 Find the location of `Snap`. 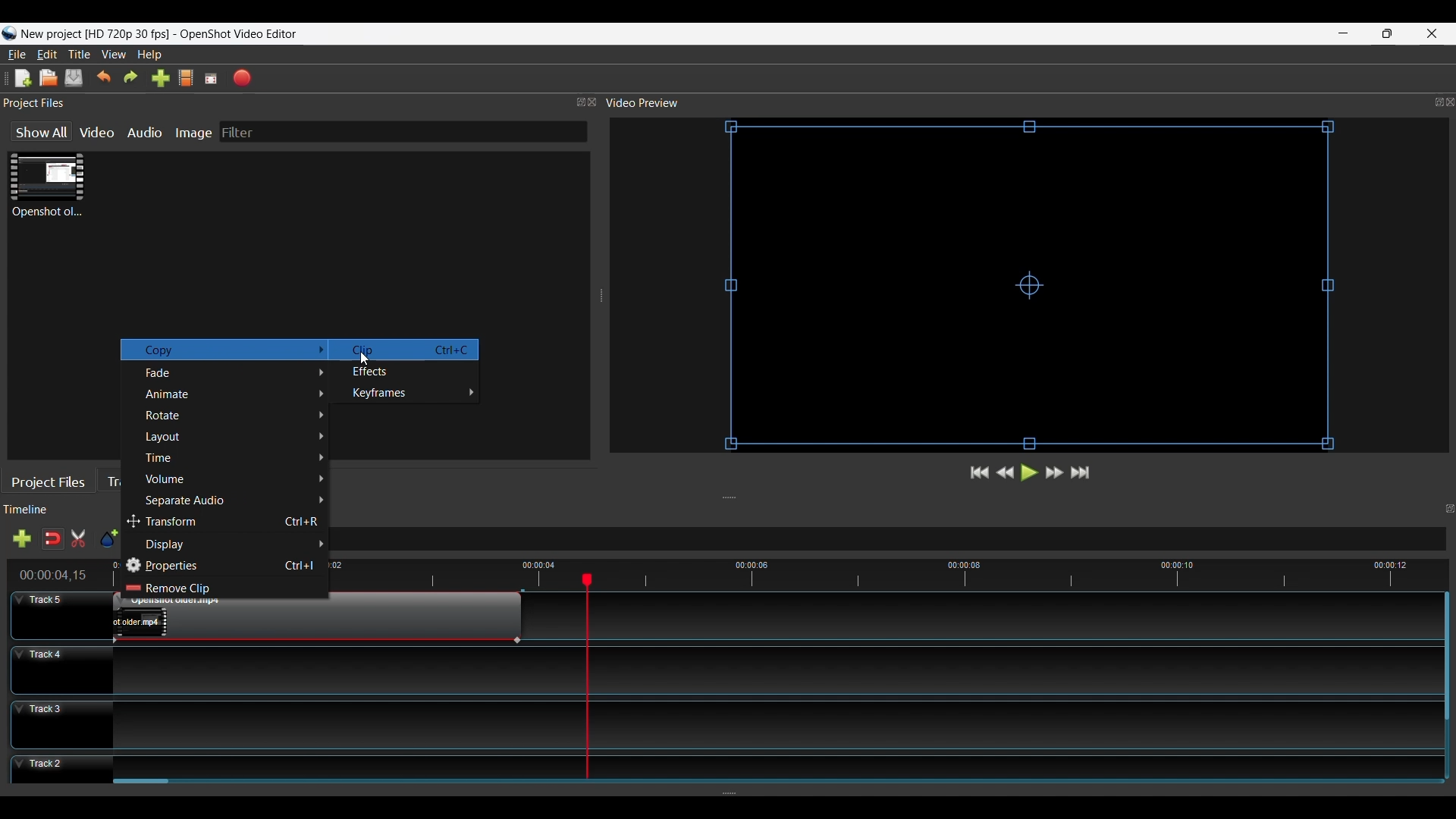

Snap is located at coordinates (52, 538).